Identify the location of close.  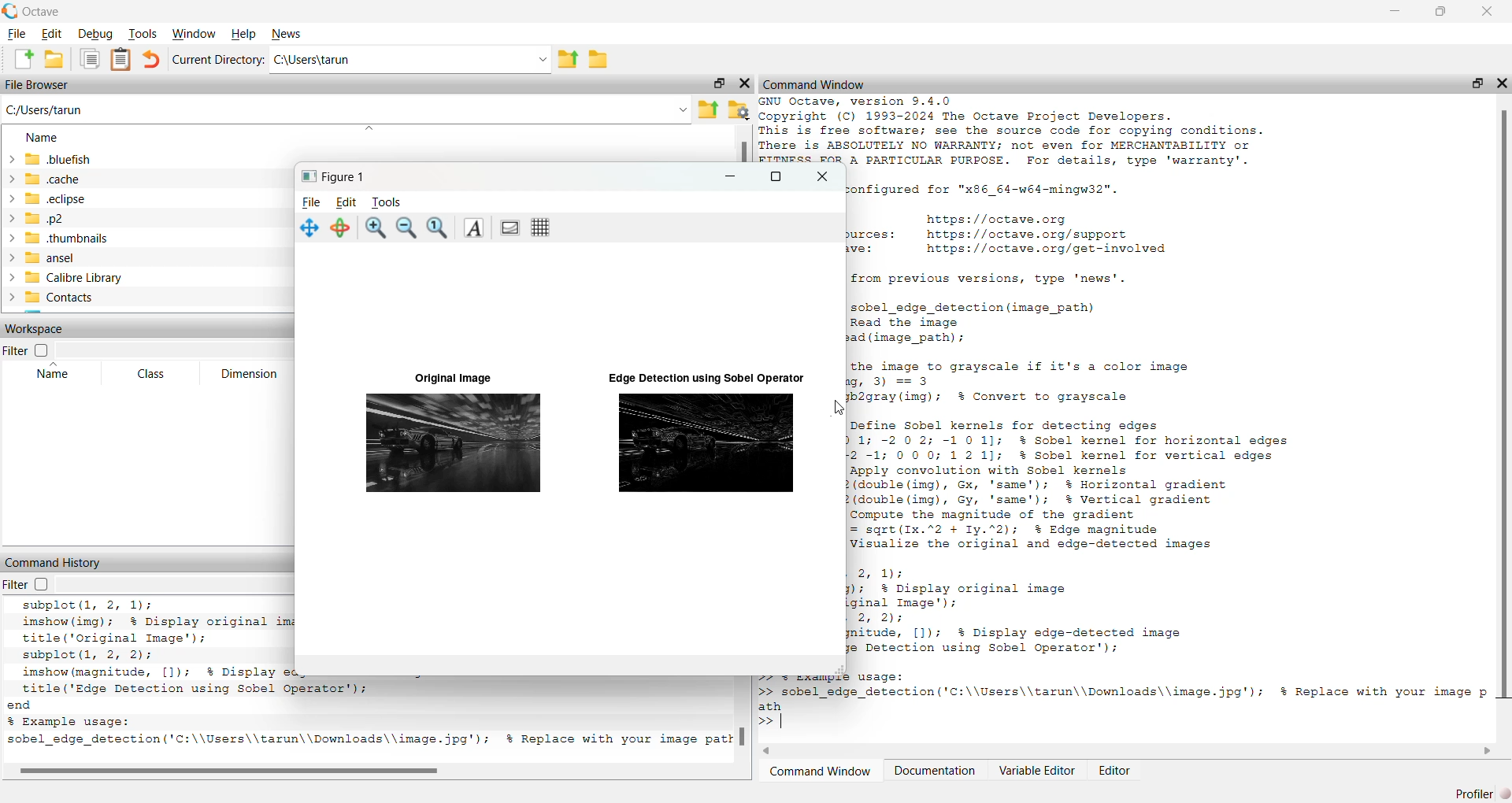
(1488, 9).